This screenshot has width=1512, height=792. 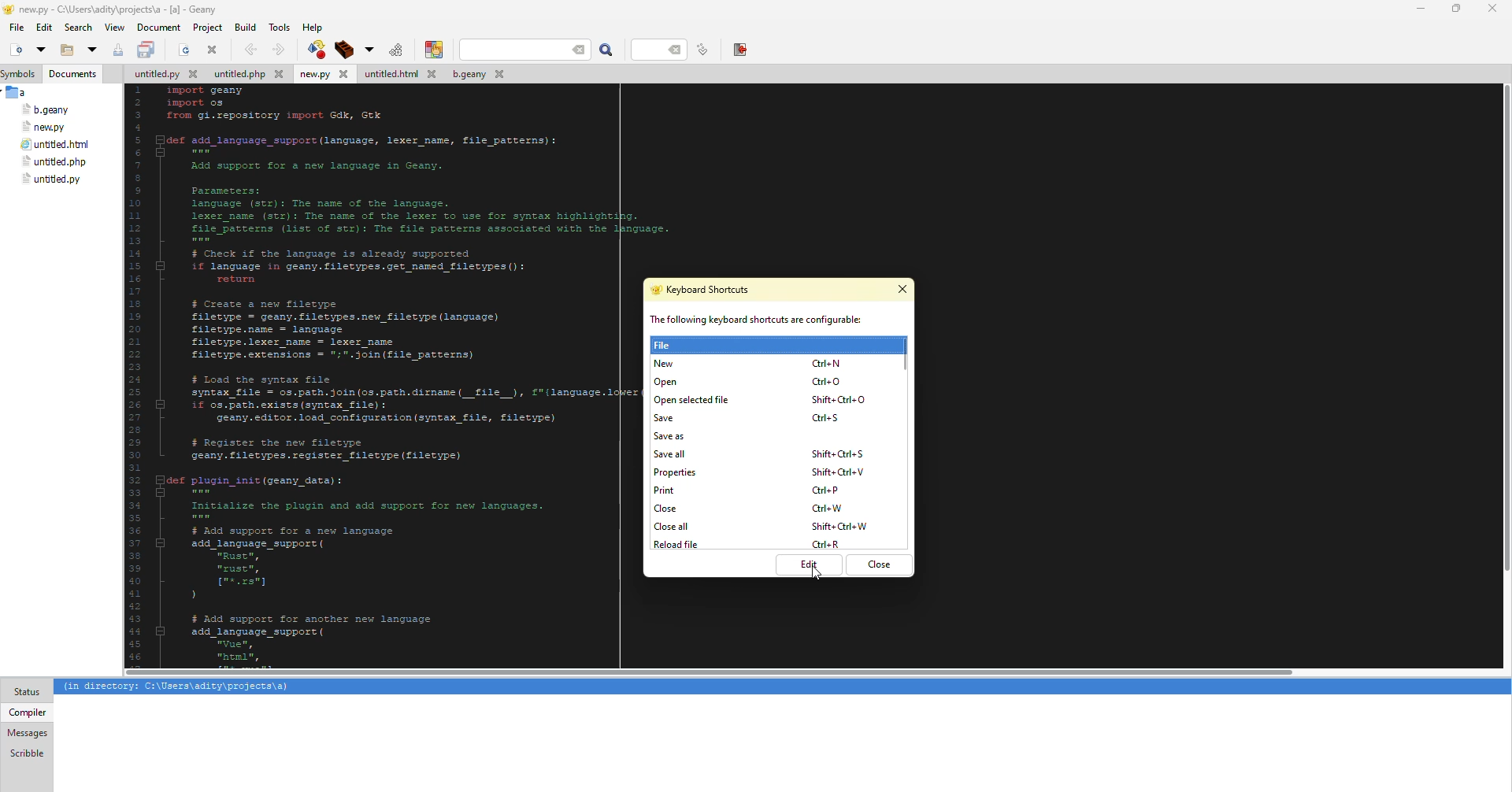 What do you see at coordinates (663, 49) in the screenshot?
I see `line number` at bounding box center [663, 49].